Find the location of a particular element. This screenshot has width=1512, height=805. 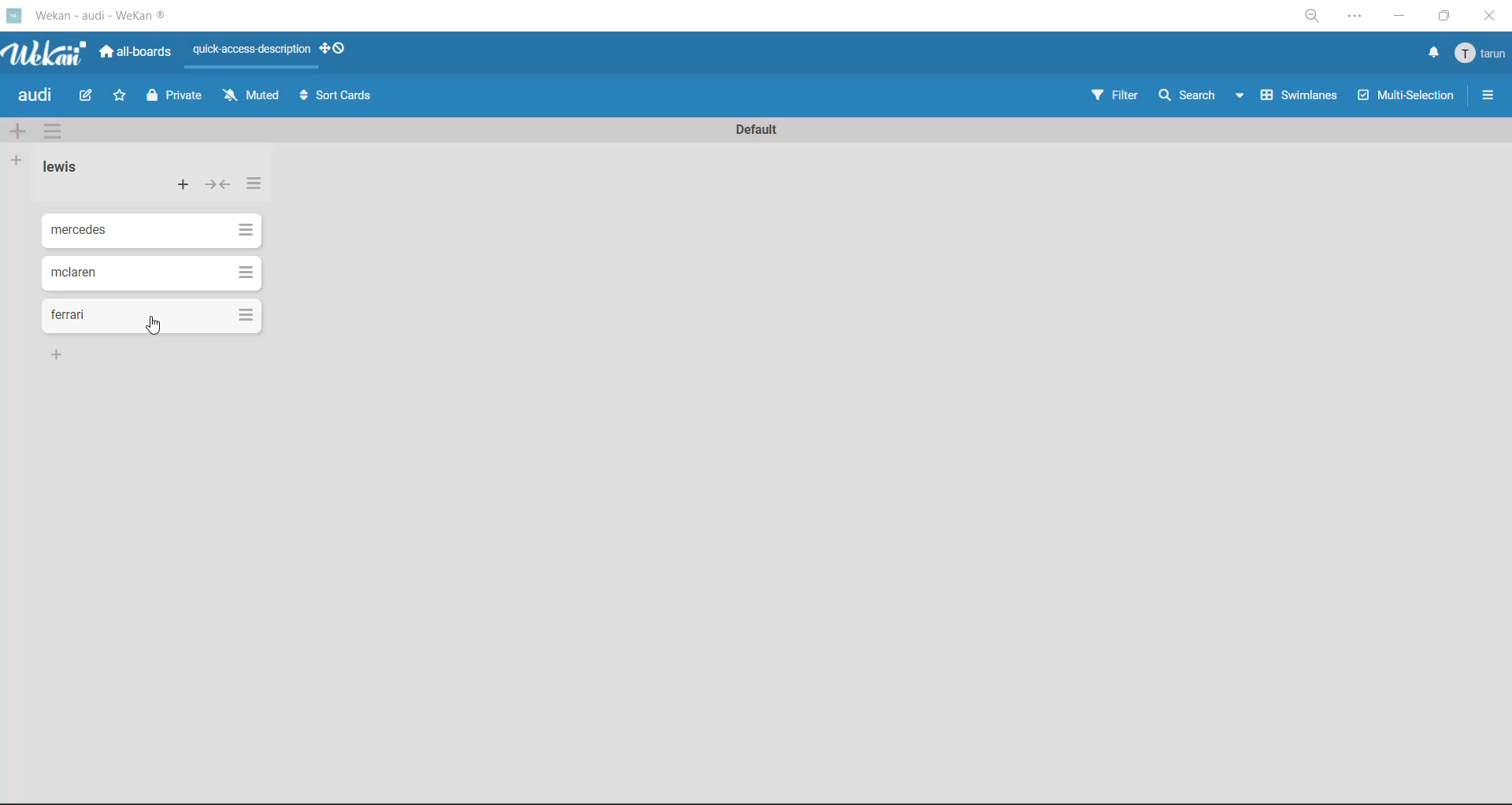

board title is located at coordinates (32, 95).